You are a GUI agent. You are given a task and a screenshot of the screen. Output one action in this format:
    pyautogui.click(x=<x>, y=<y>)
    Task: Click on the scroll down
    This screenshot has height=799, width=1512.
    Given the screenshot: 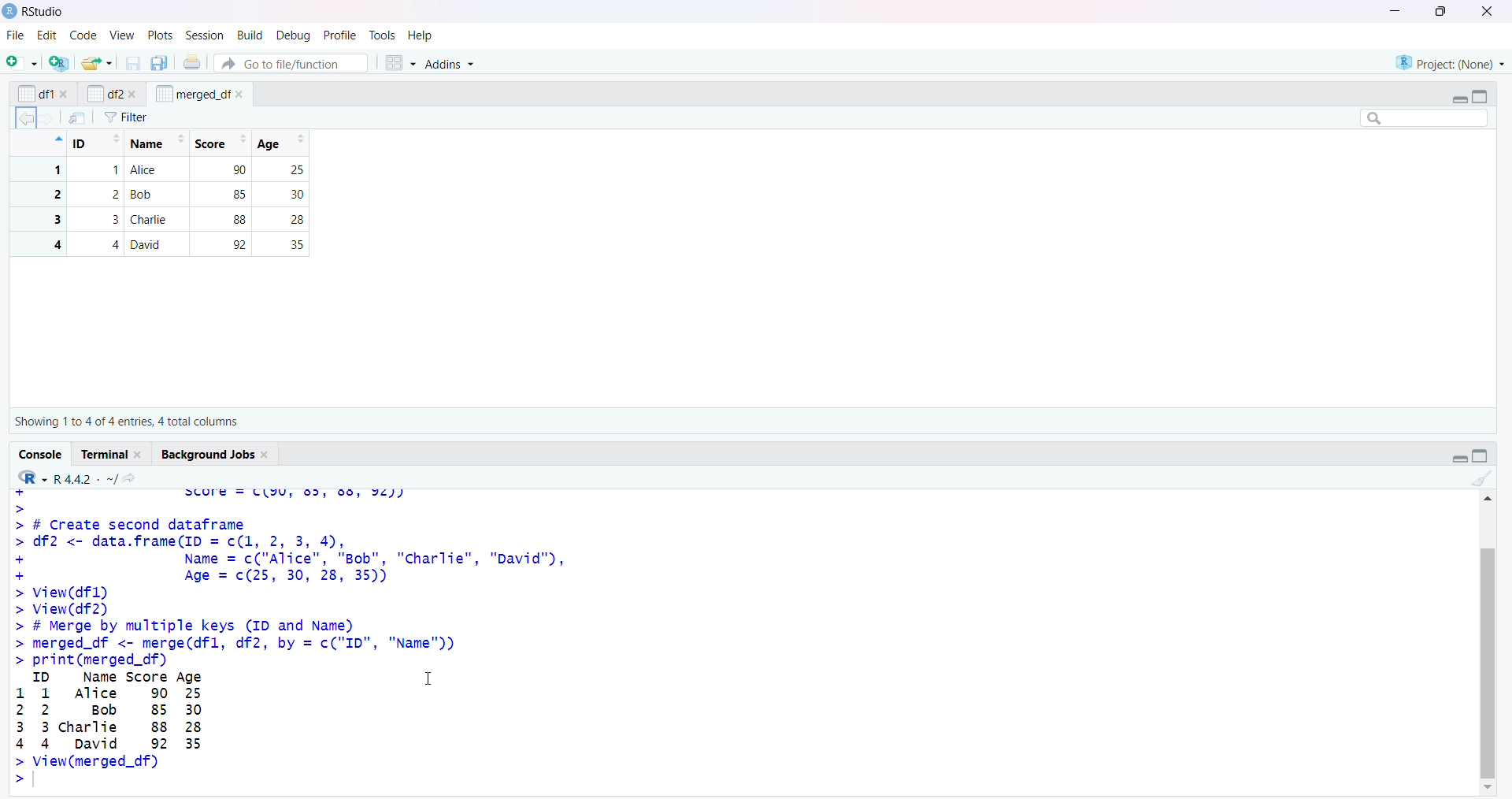 What is the action you would take?
    pyautogui.click(x=1490, y=788)
    